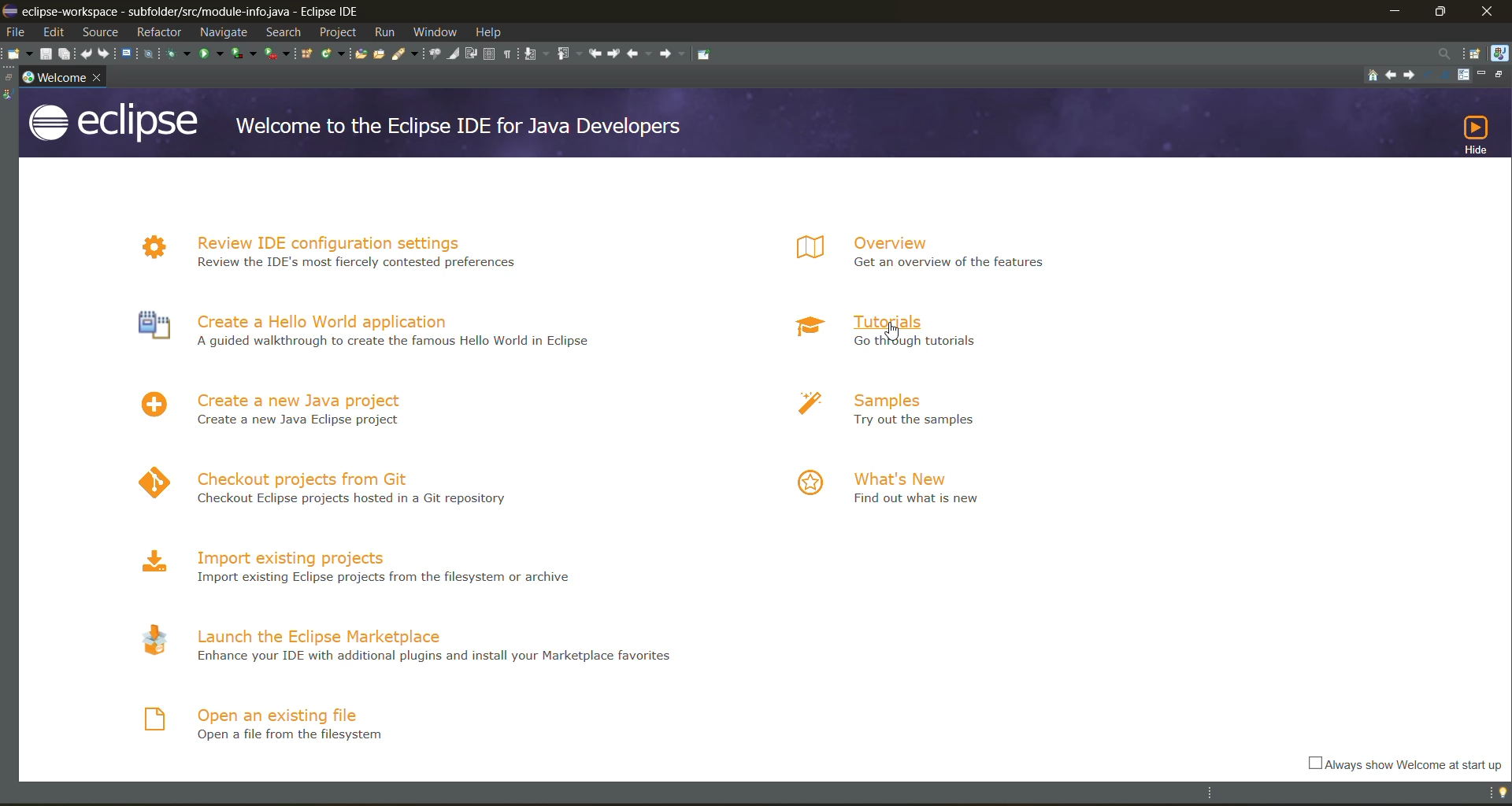 This screenshot has height=806, width=1512. Describe the element at coordinates (212, 54) in the screenshot. I see `run` at that location.